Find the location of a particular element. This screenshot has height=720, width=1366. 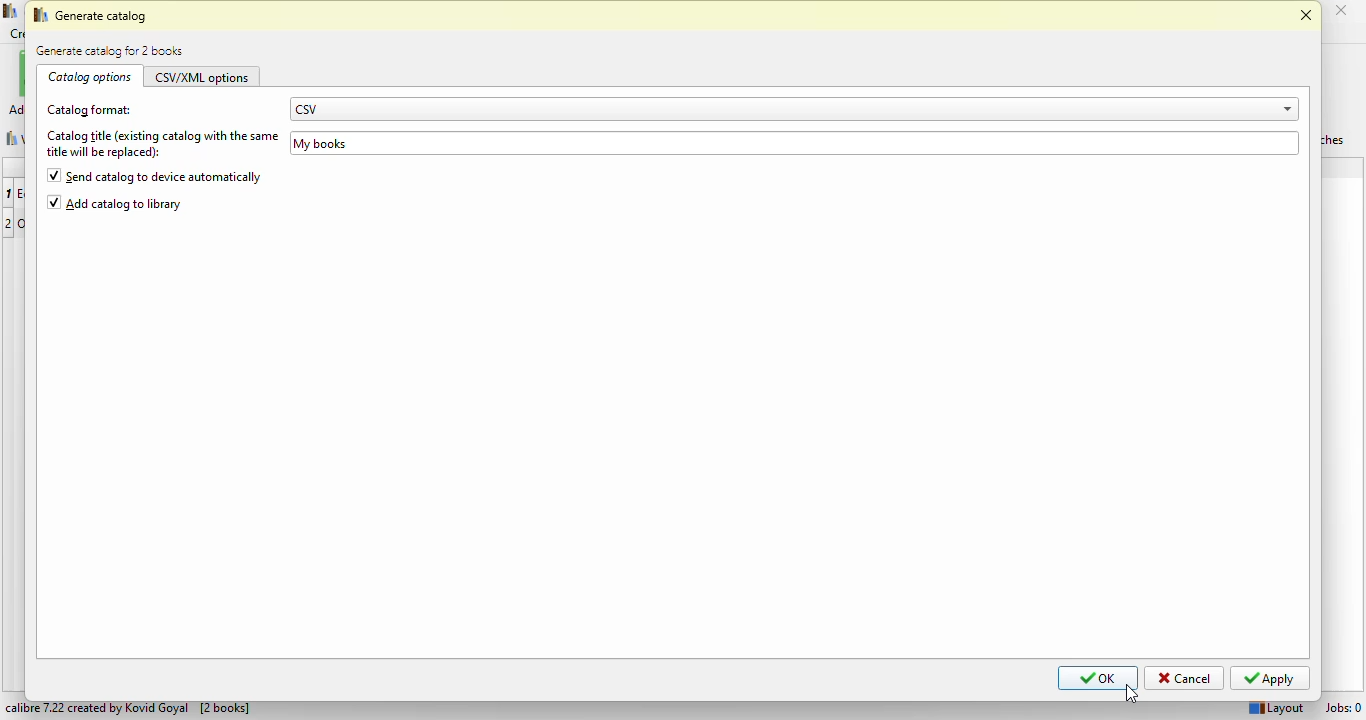

apply is located at coordinates (1271, 678).